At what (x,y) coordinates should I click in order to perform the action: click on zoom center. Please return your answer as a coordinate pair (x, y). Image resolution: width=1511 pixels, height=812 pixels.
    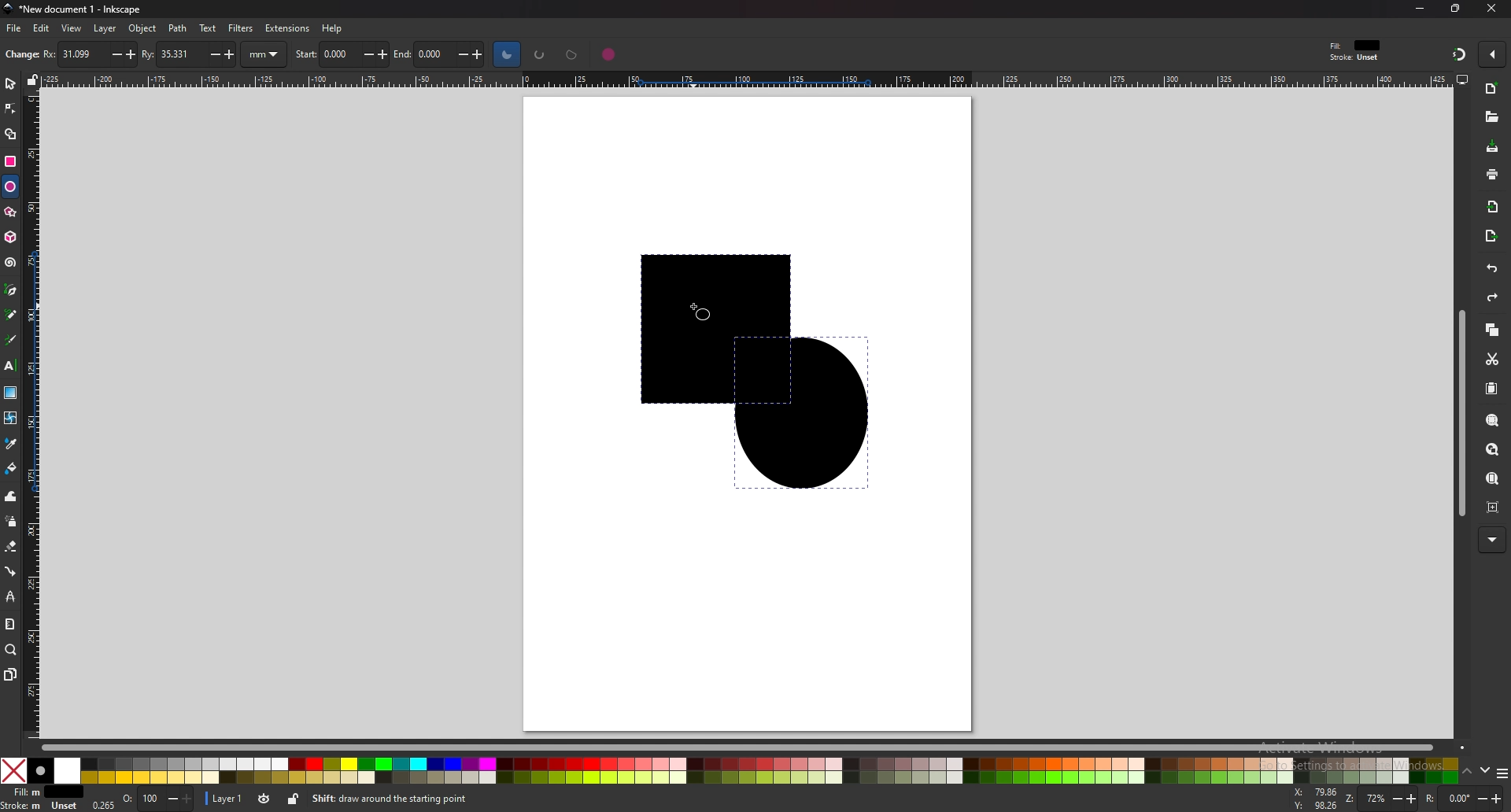
    Looking at the image, I should click on (1492, 507).